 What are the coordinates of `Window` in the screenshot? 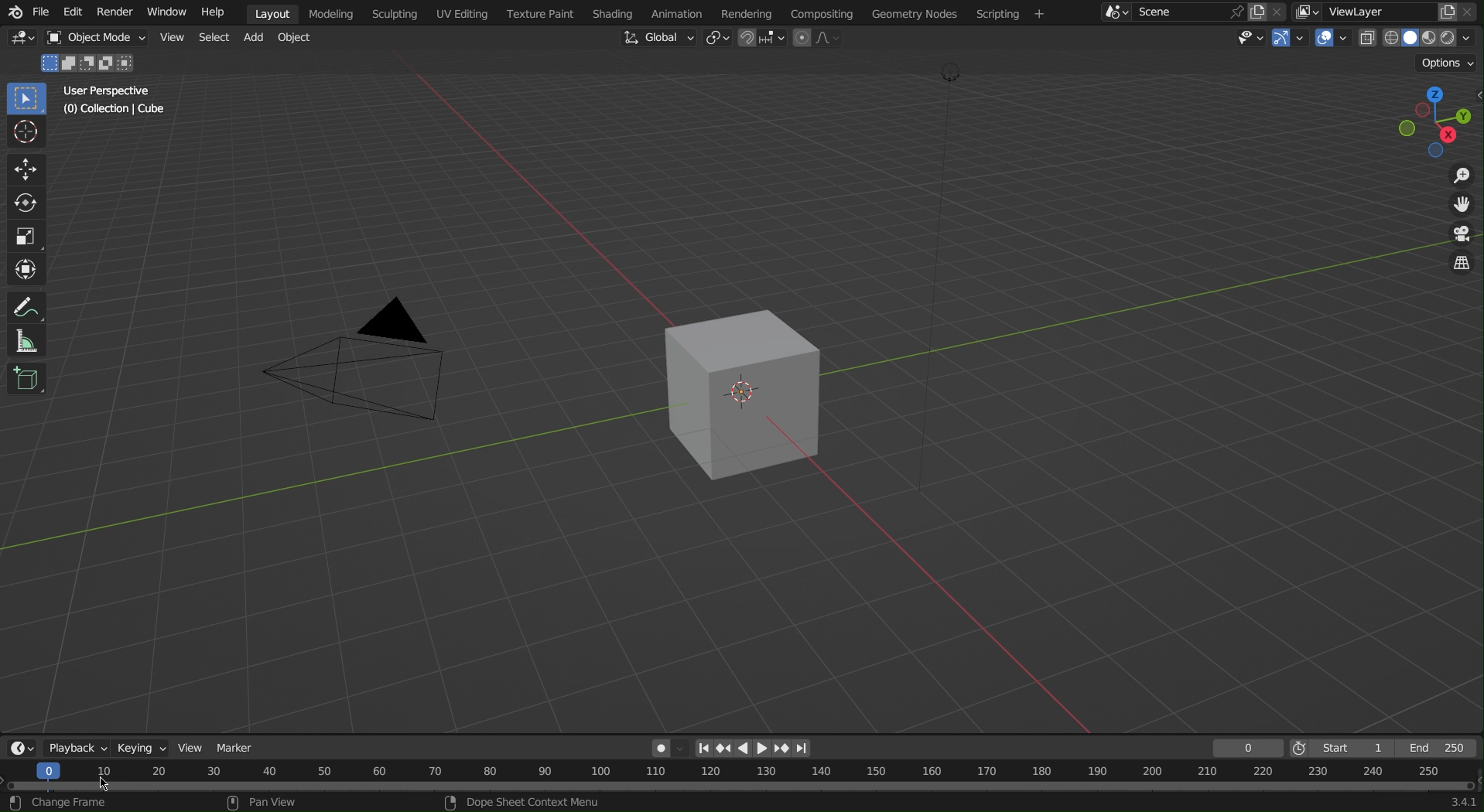 It's located at (166, 13).